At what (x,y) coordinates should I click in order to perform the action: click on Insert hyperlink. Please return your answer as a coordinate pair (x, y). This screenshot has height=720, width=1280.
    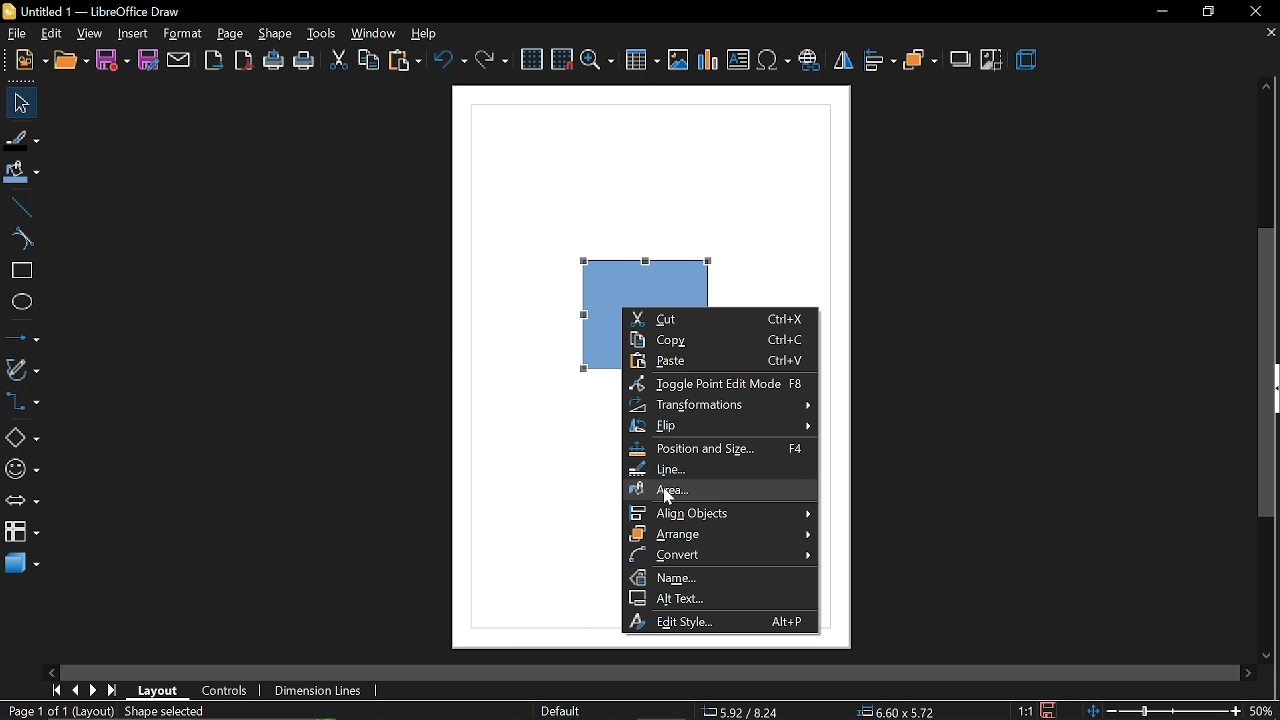
    Looking at the image, I should click on (810, 62).